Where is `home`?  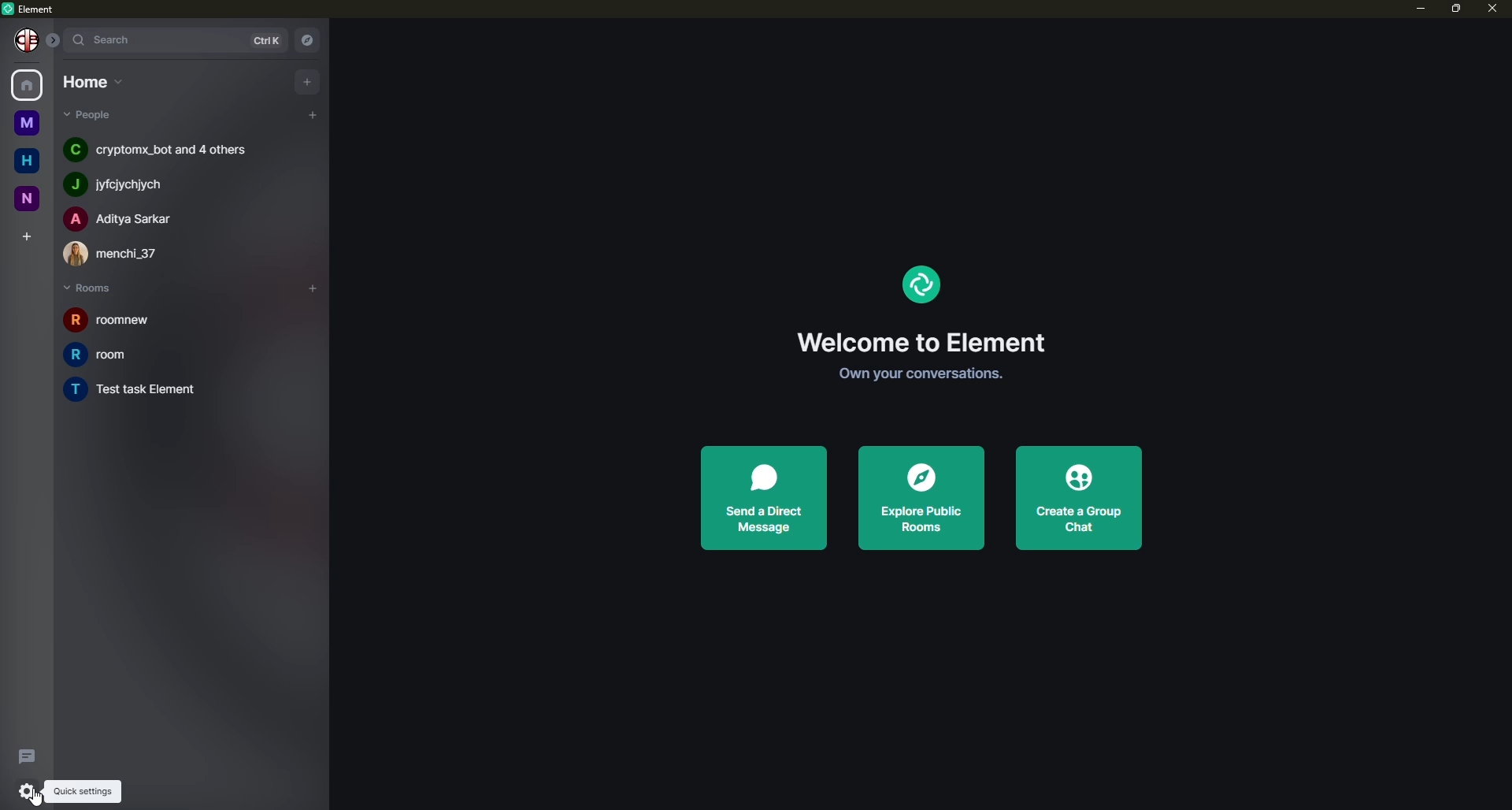 home is located at coordinates (24, 158).